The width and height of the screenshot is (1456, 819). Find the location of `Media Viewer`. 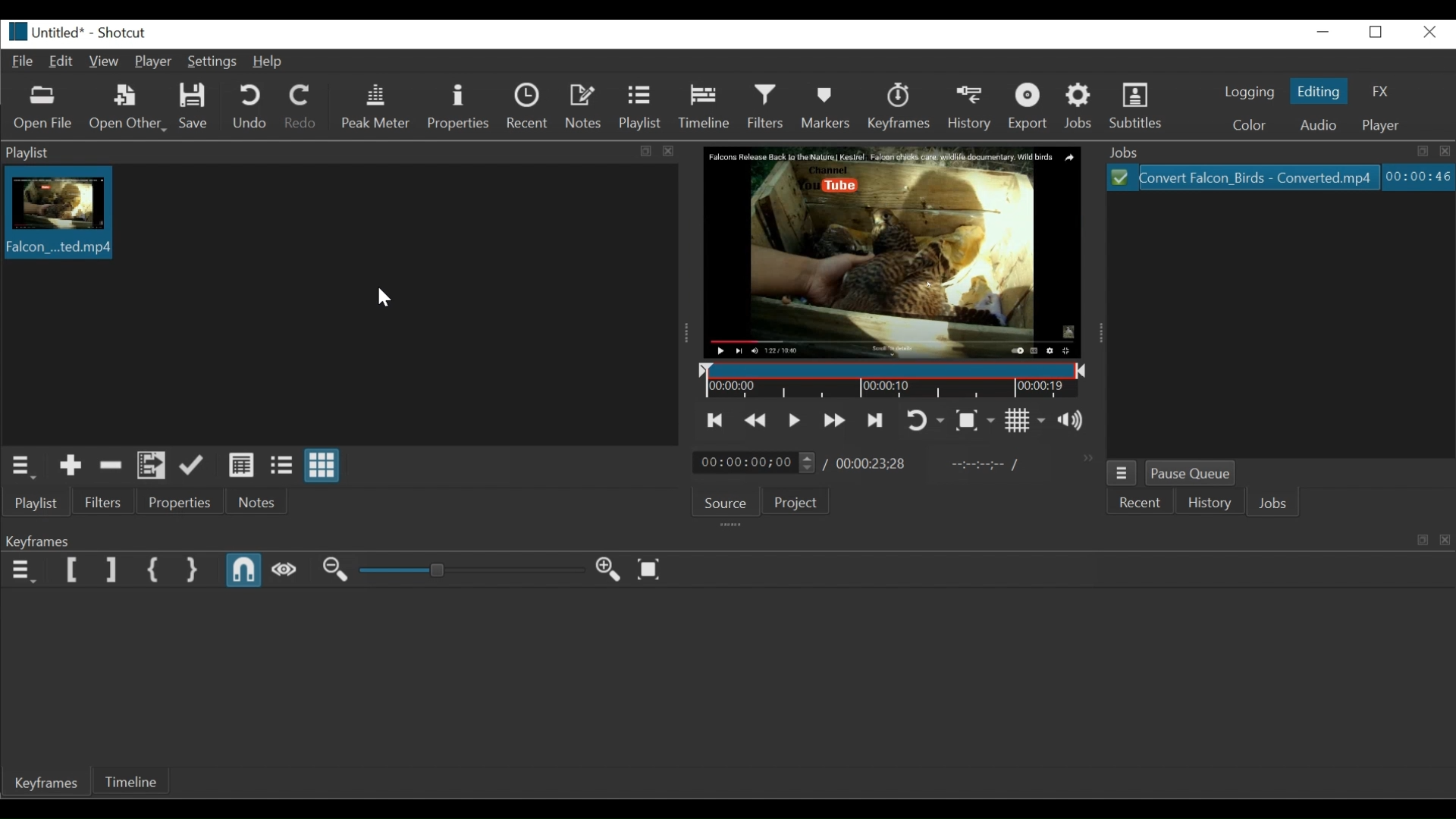

Media Viewer is located at coordinates (890, 251).